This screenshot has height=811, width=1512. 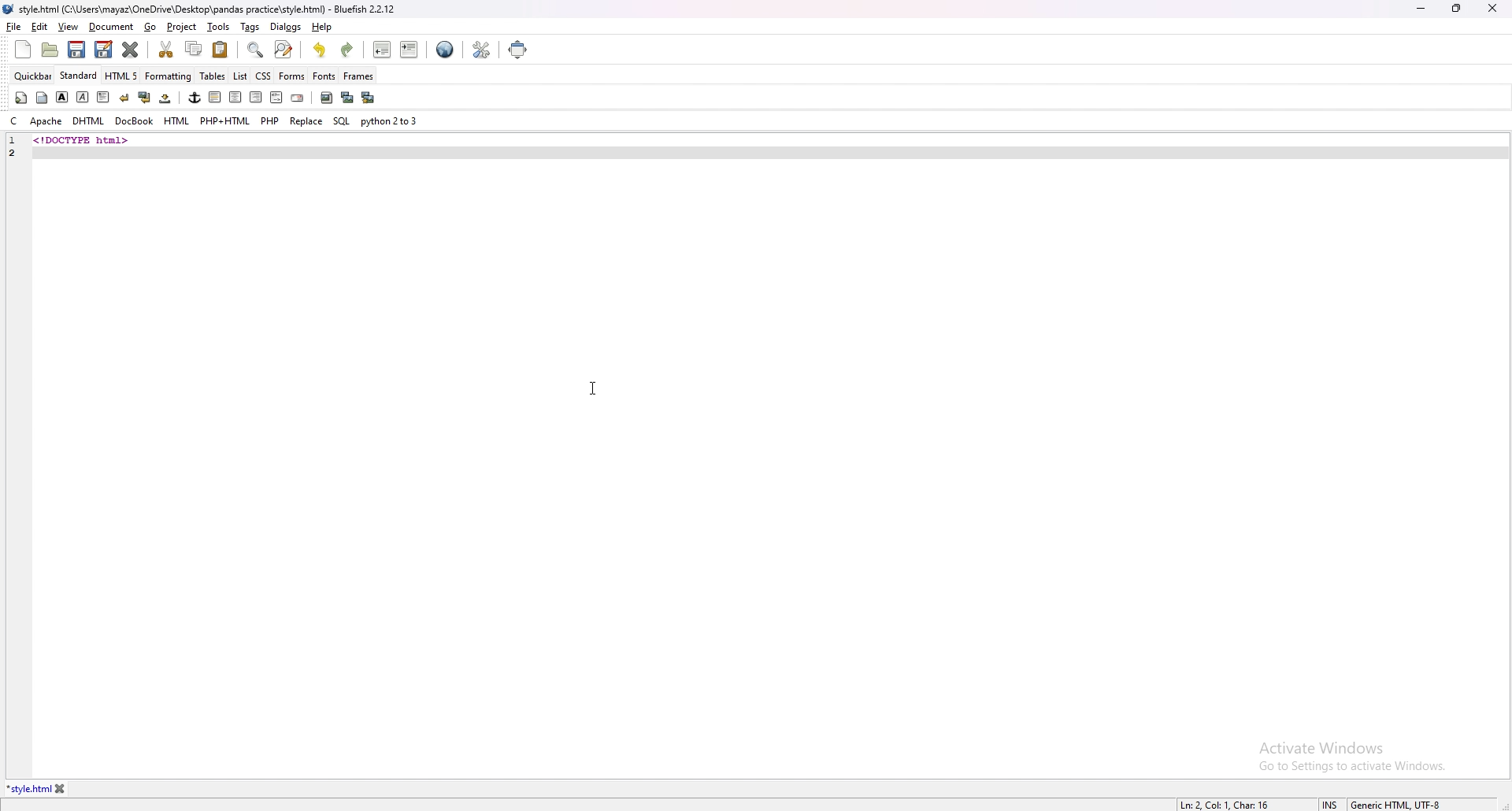 What do you see at coordinates (1492, 8) in the screenshot?
I see `close` at bounding box center [1492, 8].